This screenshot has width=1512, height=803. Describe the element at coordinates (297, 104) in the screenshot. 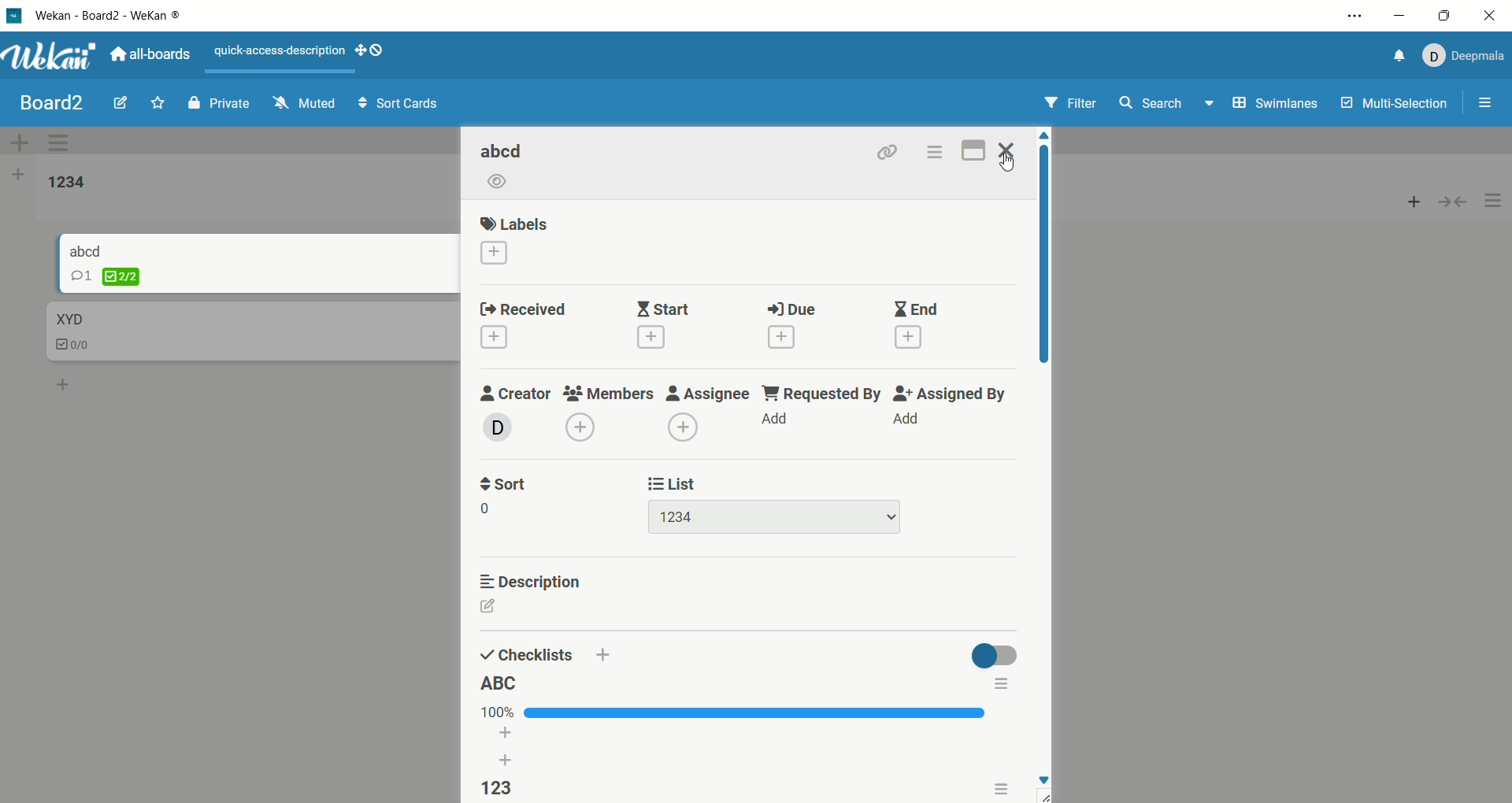

I see `muted` at that location.